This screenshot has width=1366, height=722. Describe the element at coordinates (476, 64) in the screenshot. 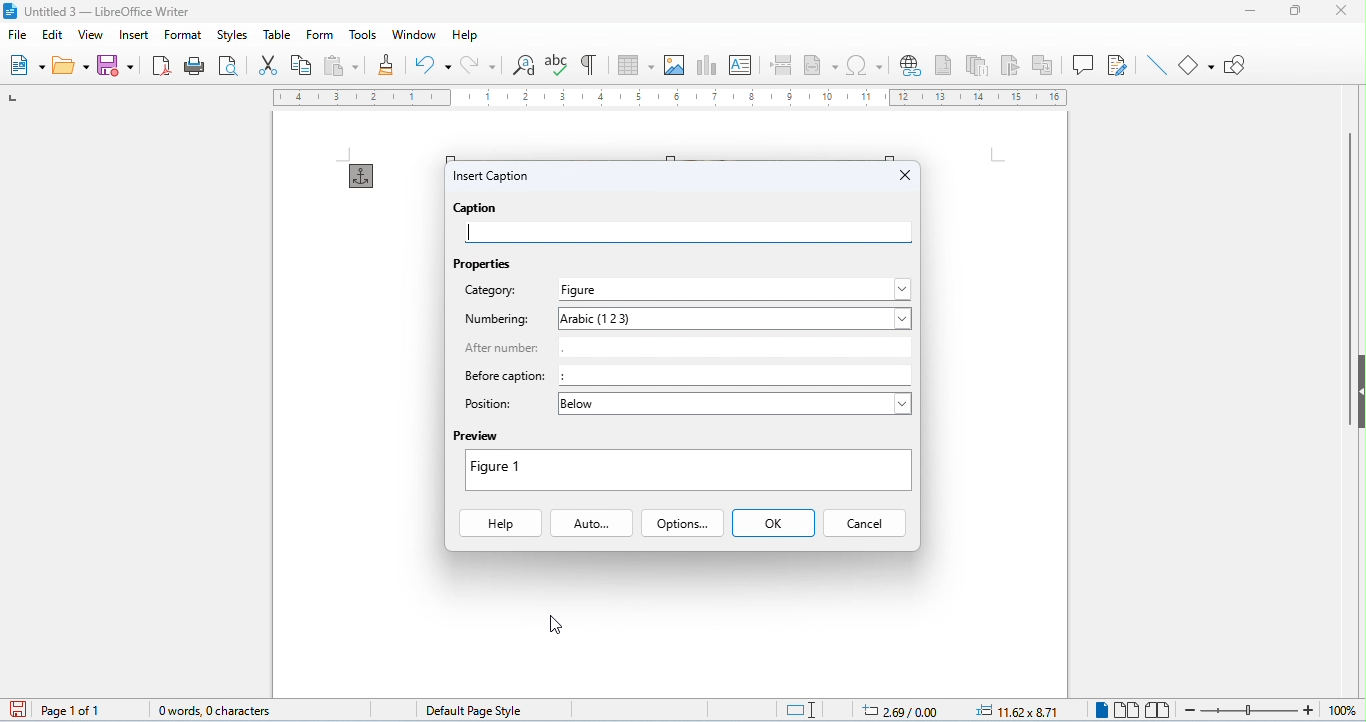

I see `redo` at that location.